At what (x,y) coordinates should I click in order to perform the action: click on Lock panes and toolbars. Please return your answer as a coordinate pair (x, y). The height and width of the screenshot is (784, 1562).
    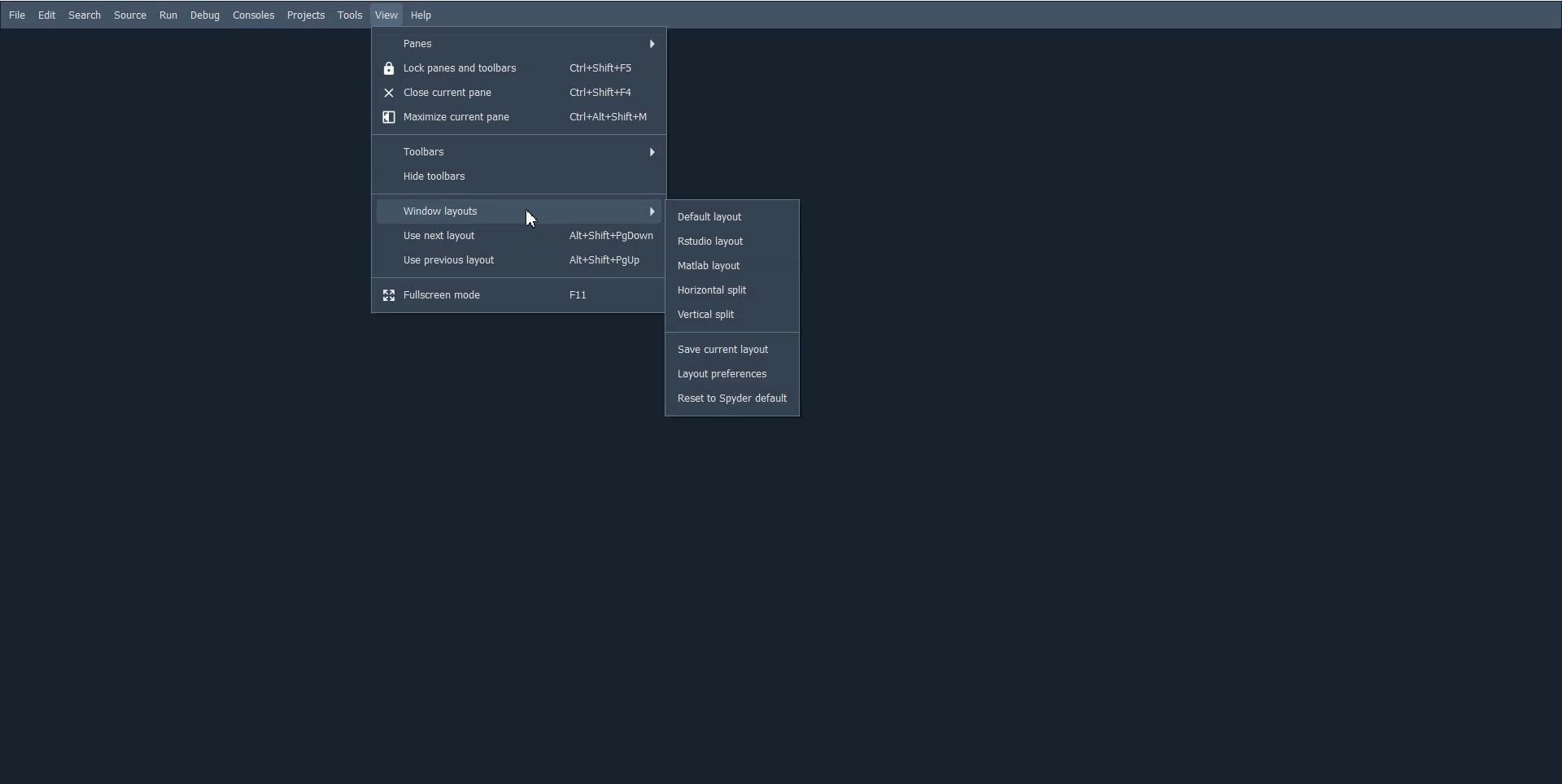
    Looking at the image, I should click on (519, 67).